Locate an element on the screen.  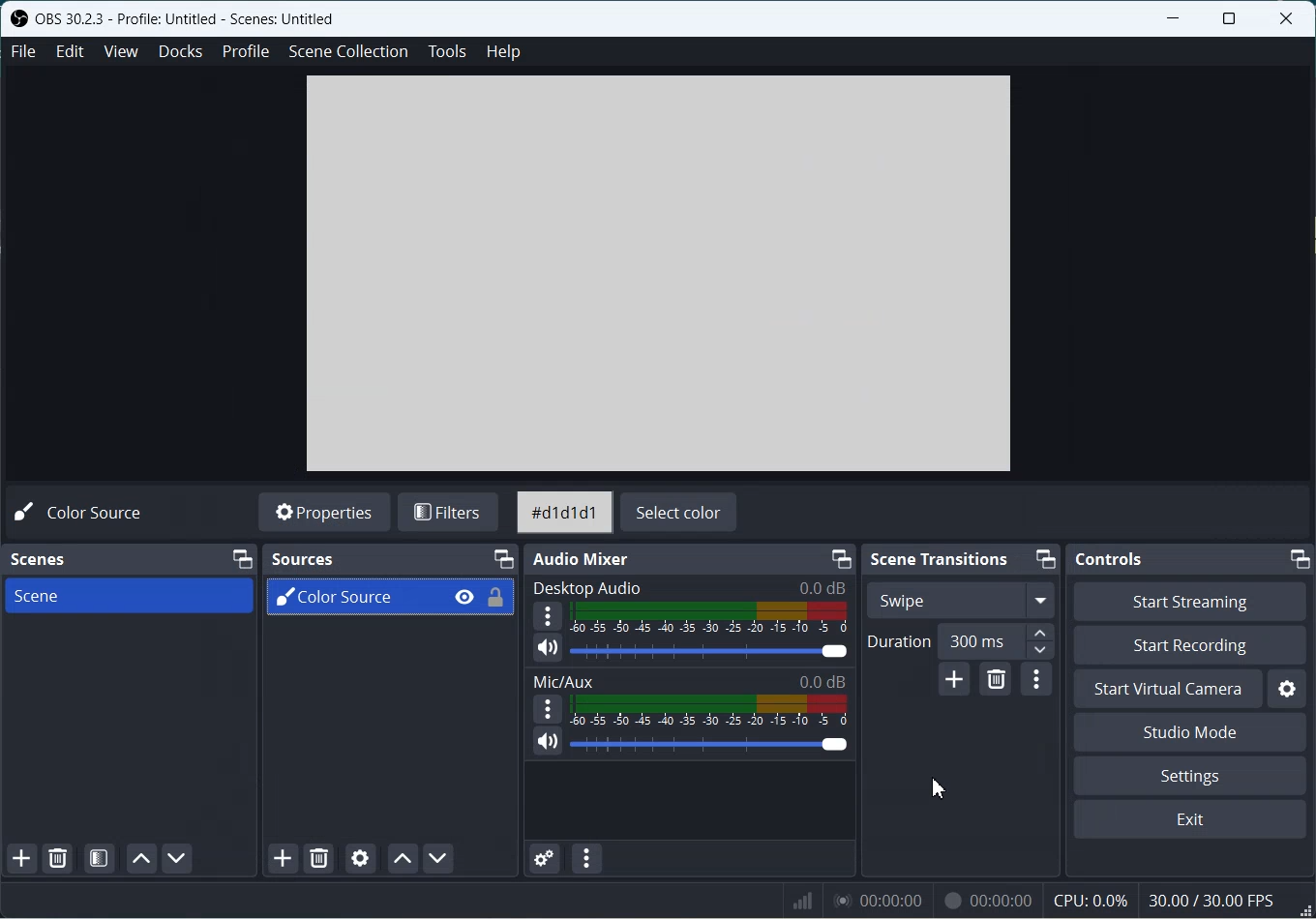
Advance Audio properties is located at coordinates (545, 858).